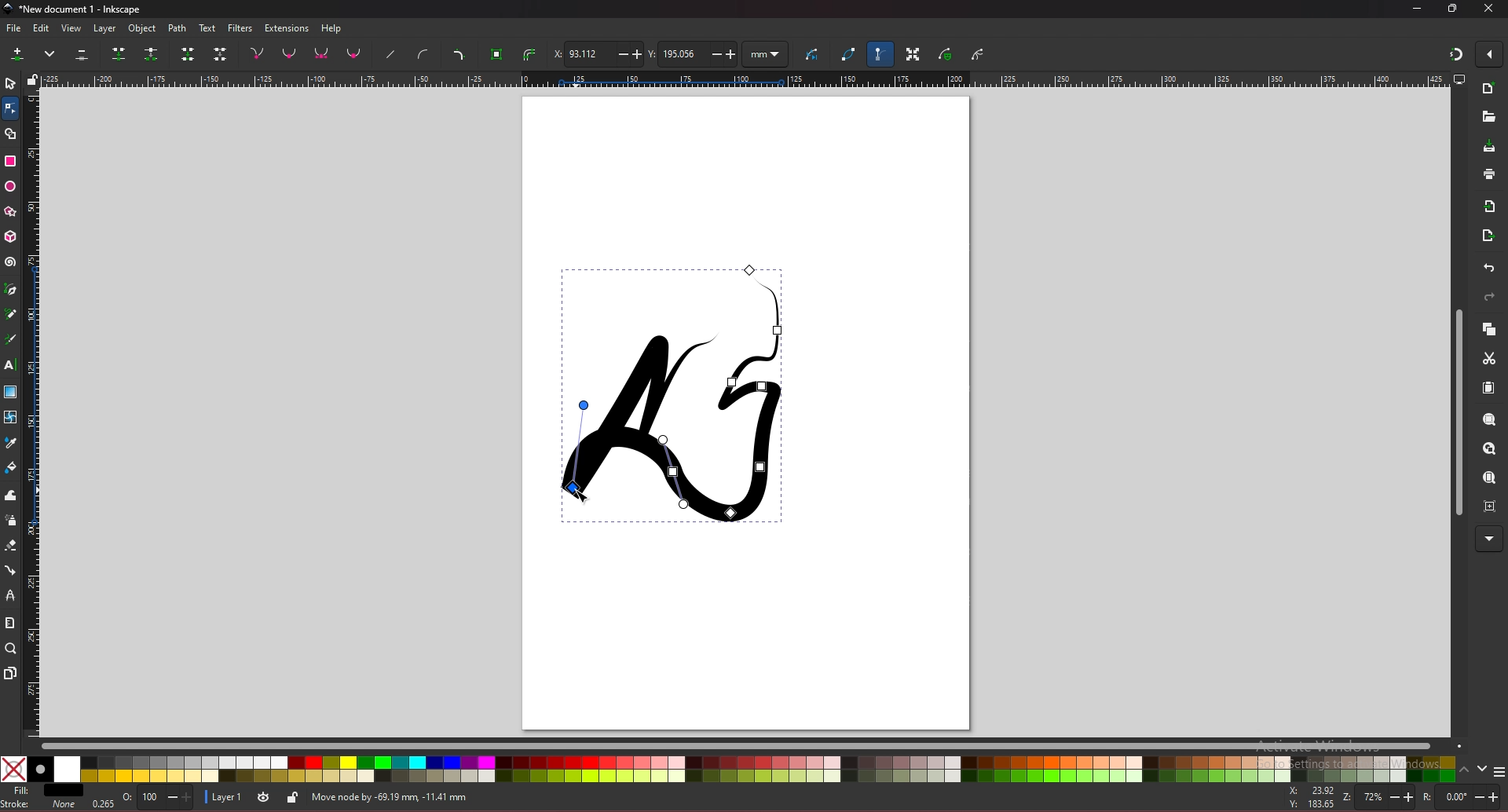 Image resolution: width=1508 pixels, height=812 pixels. What do you see at coordinates (9, 108) in the screenshot?
I see `node` at bounding box center [9, 108].